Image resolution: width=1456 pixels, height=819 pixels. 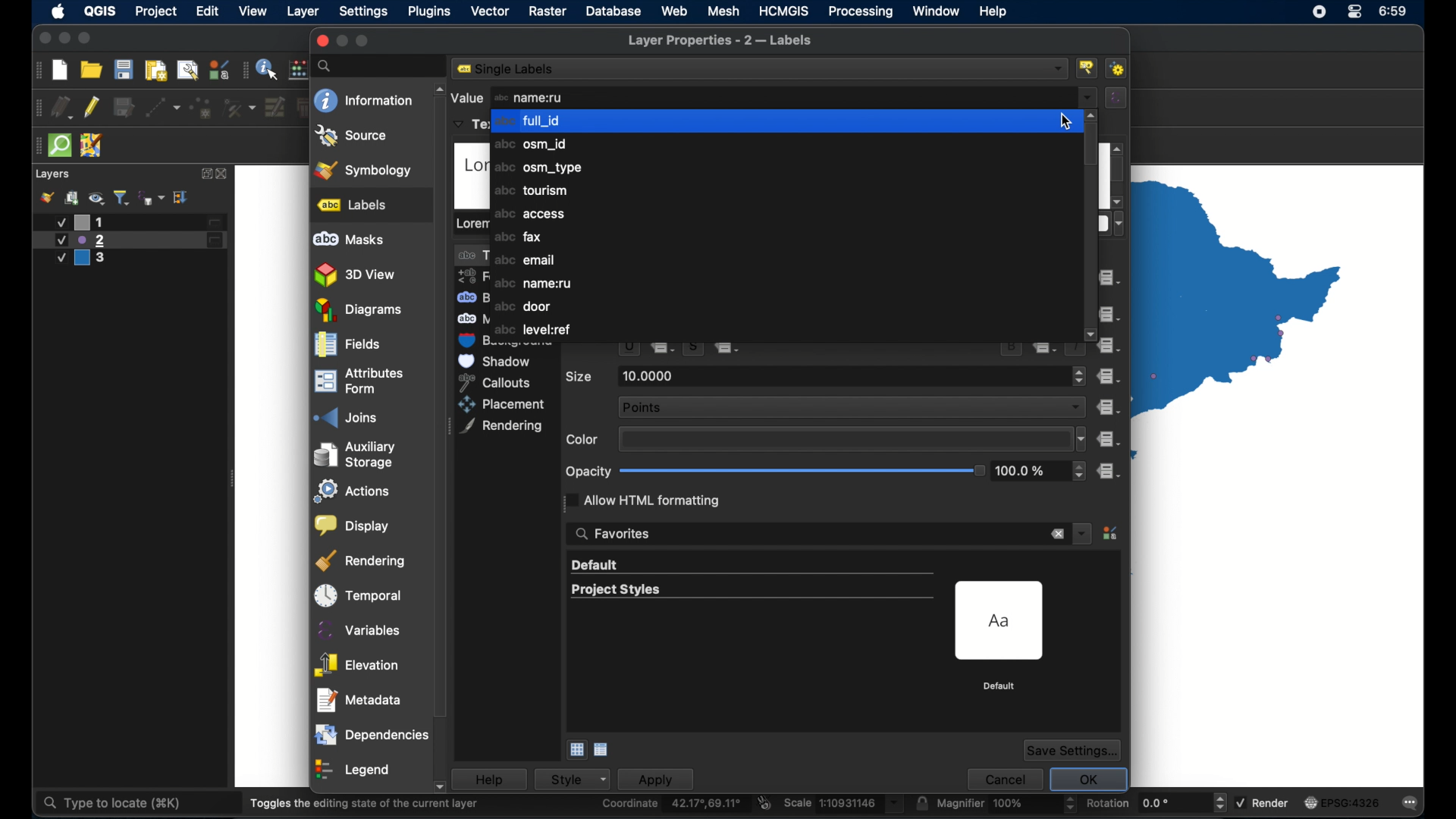 I want to click on display, so click(x=353, y=522).